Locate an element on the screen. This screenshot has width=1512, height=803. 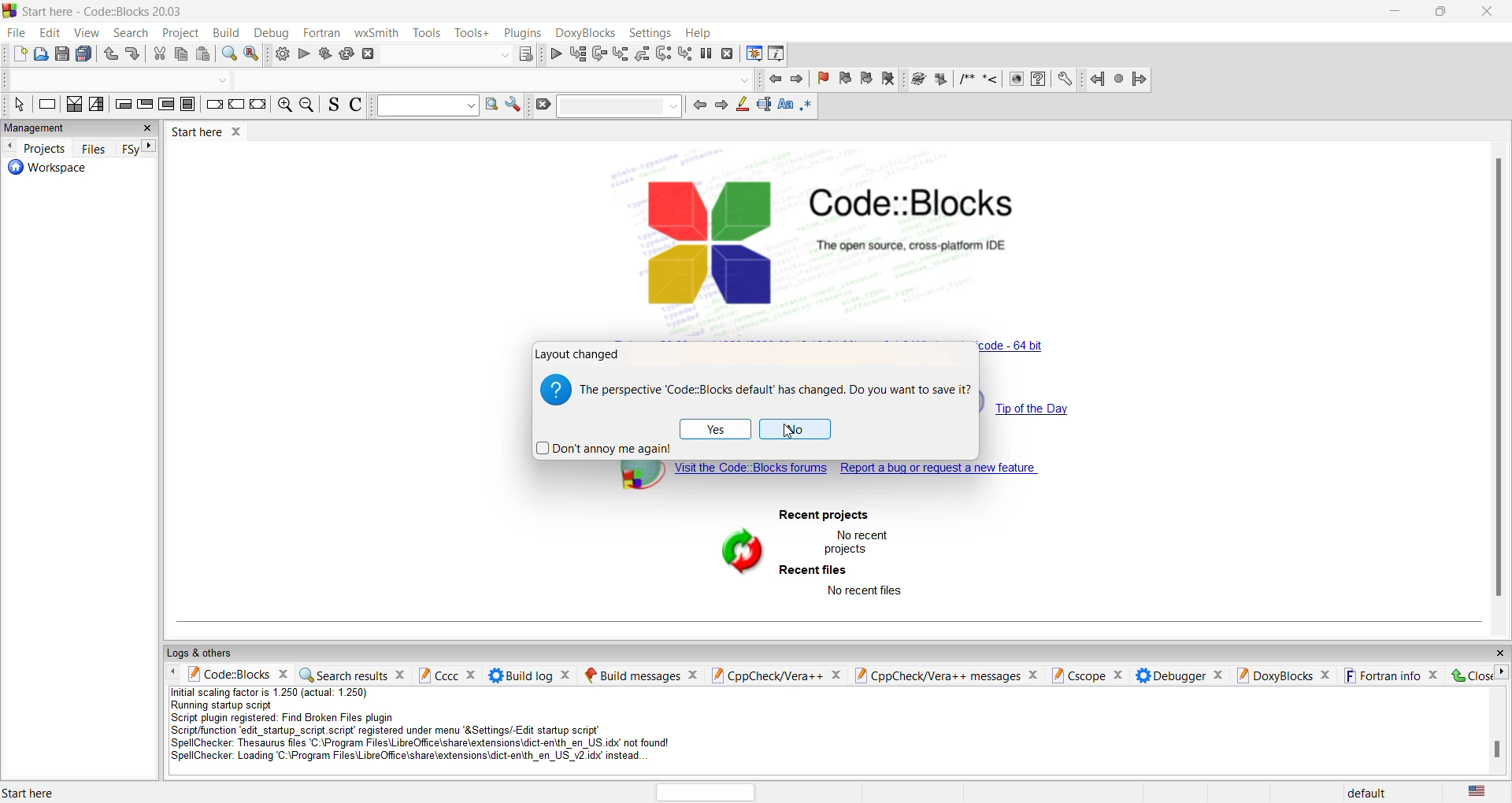
target dialog is located at coordinates (525, 52).